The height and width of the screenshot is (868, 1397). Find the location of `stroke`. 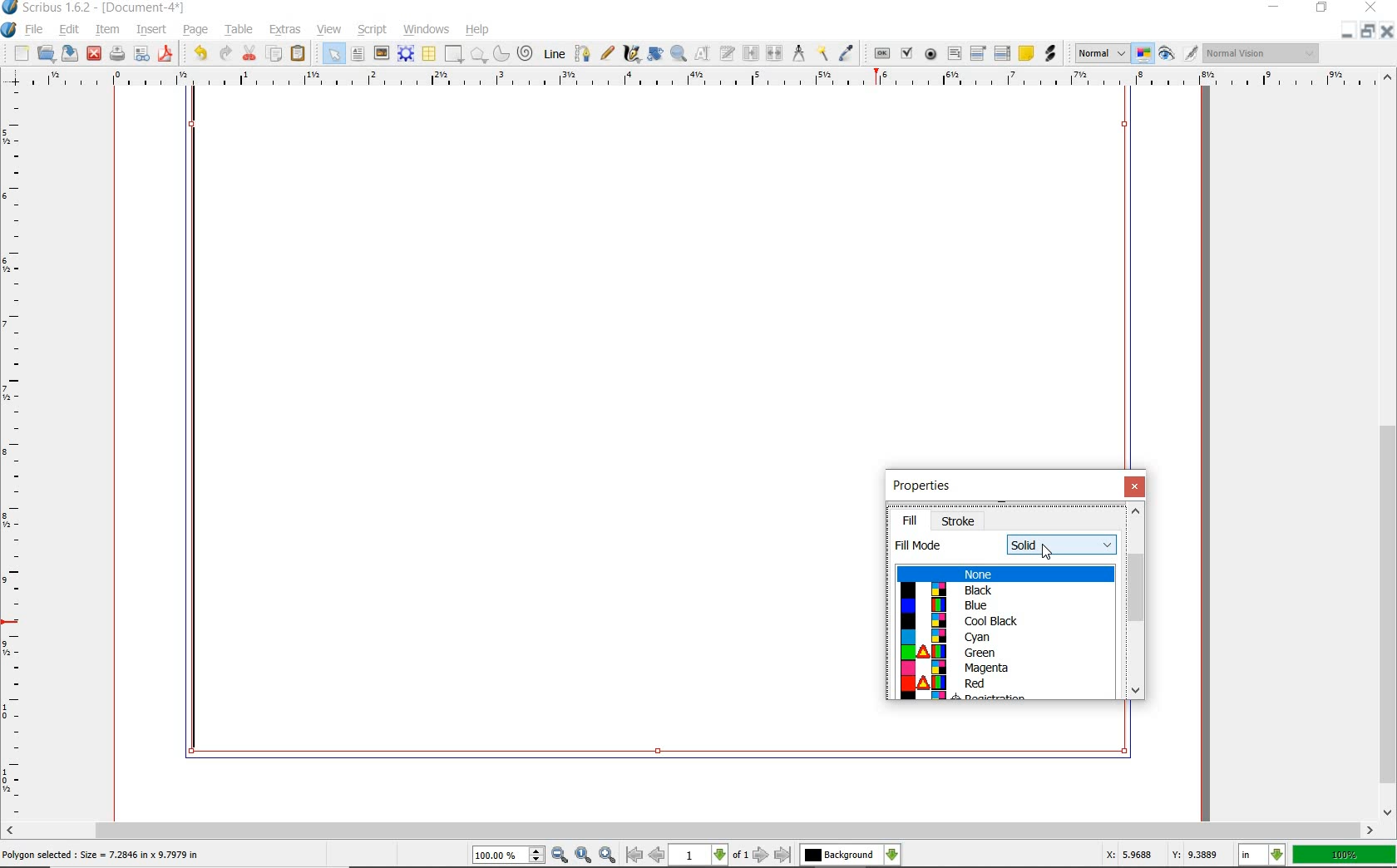

stroke is located at coordinates (960, 520).